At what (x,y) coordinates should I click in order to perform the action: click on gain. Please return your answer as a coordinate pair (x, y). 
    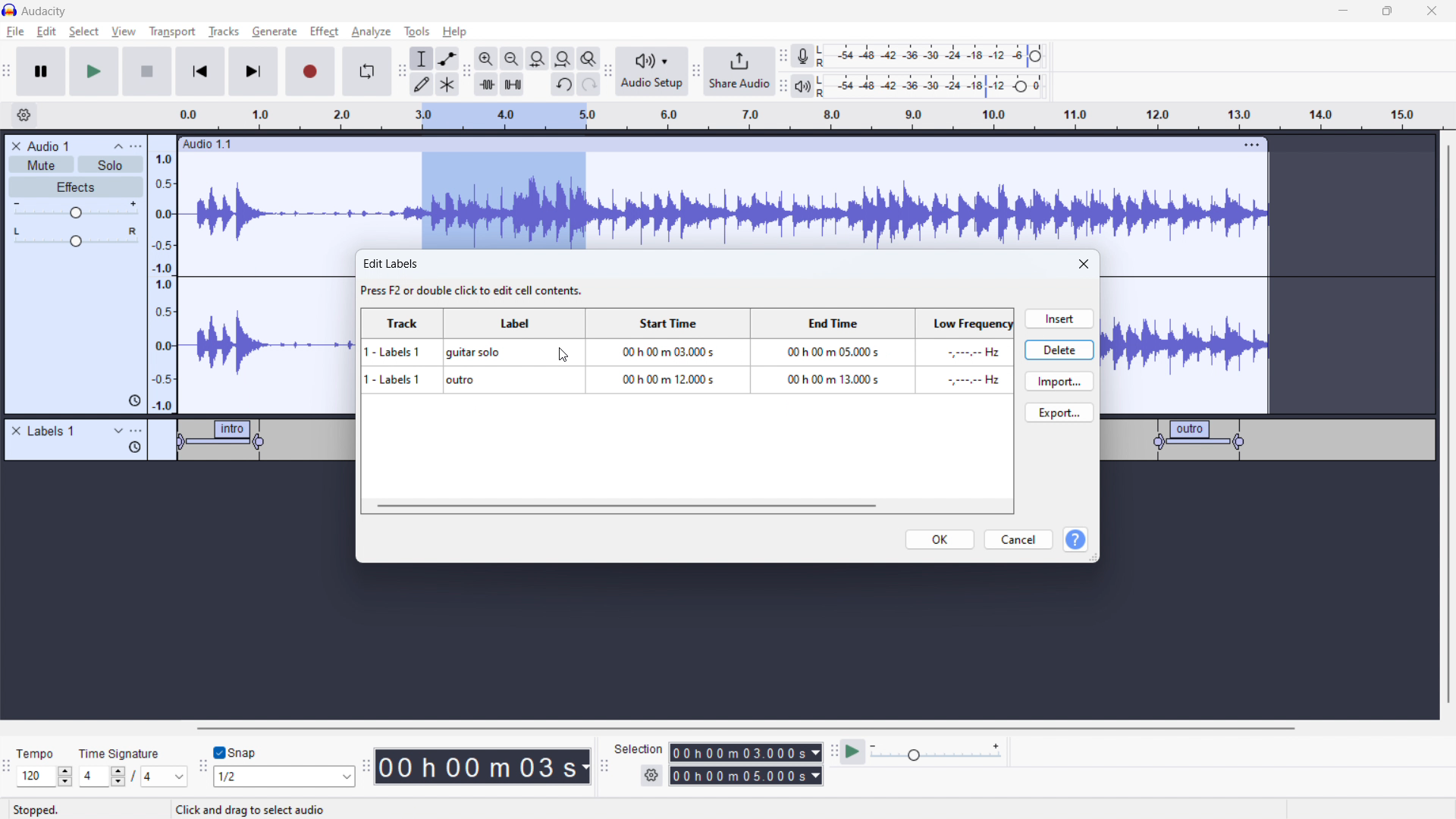
    Looking at the image, I should click on (76, 210).